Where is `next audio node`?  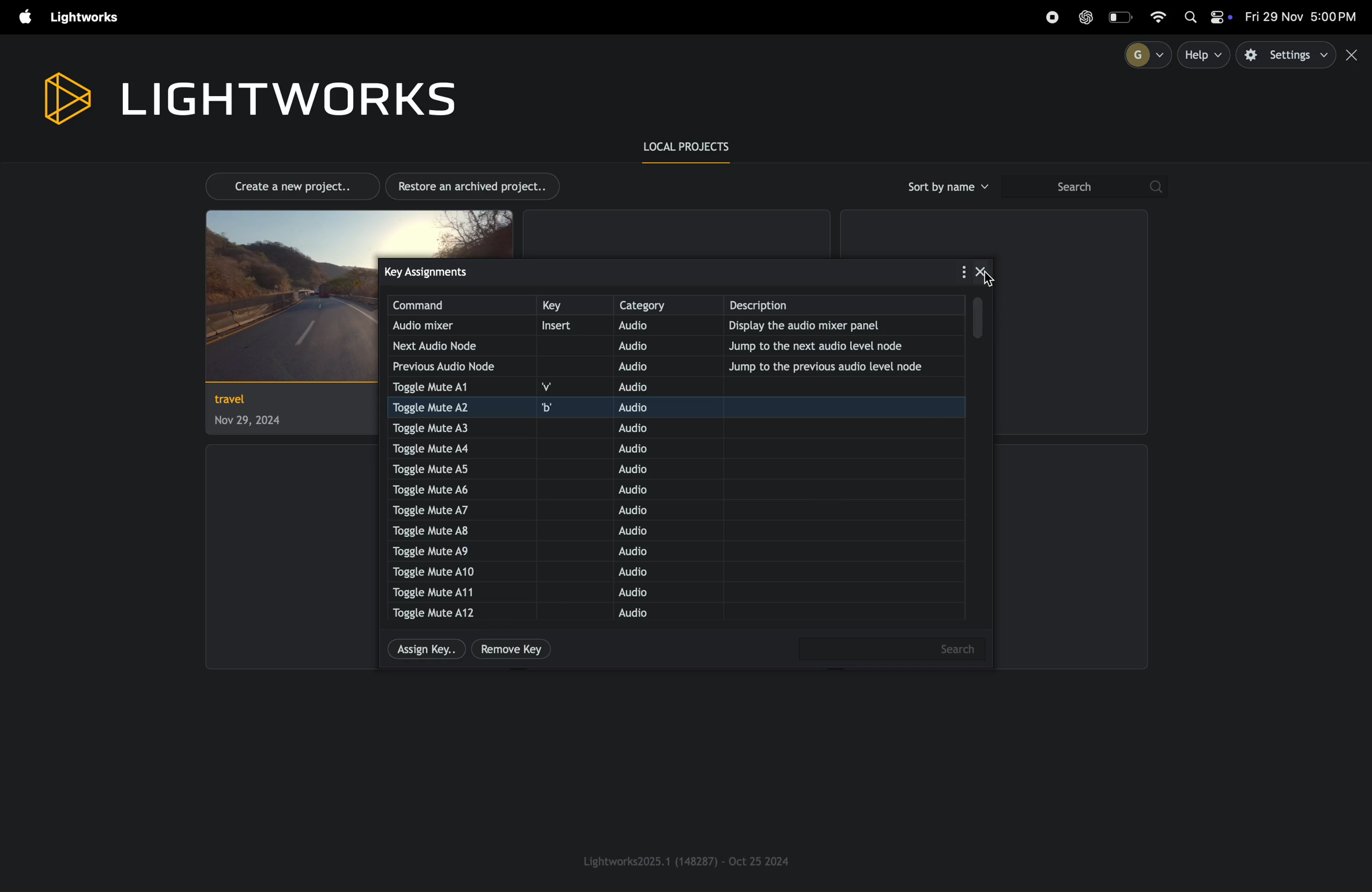 next audio node is located at coordinates (447, 346).